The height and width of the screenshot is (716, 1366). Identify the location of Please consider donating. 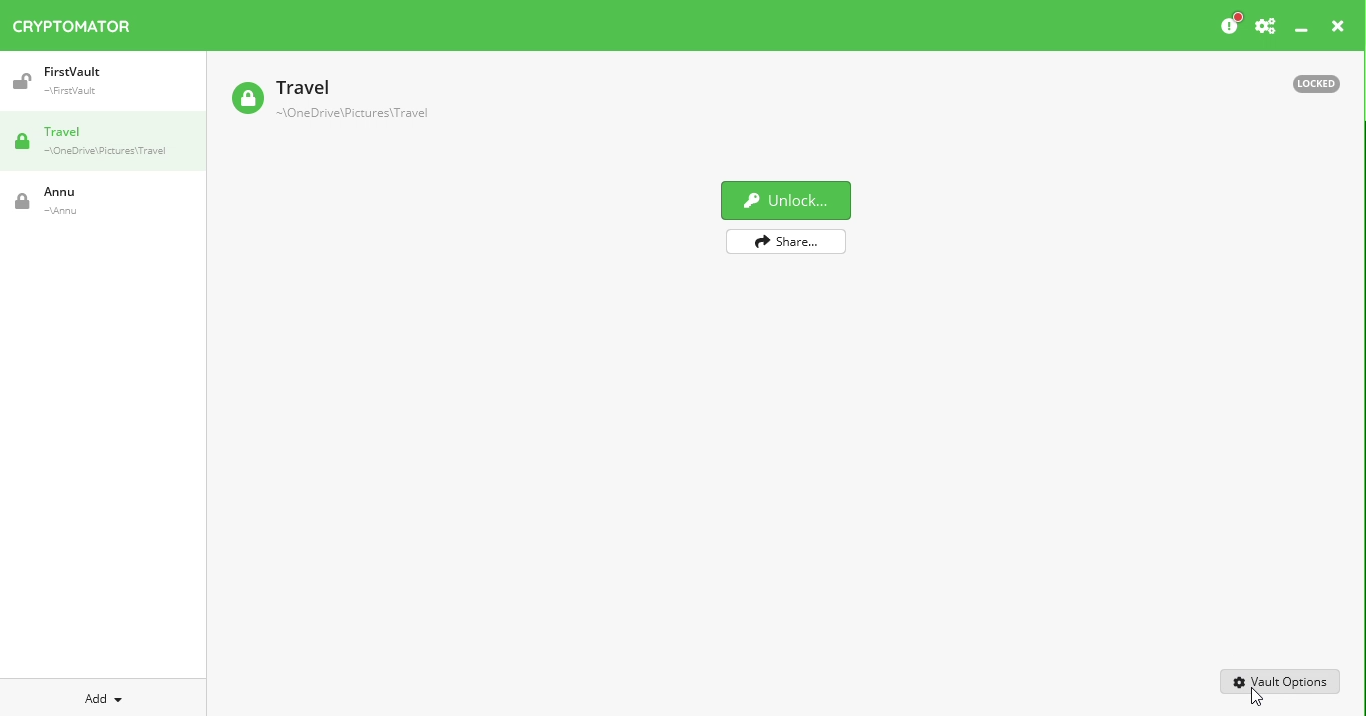
(1229, 25).